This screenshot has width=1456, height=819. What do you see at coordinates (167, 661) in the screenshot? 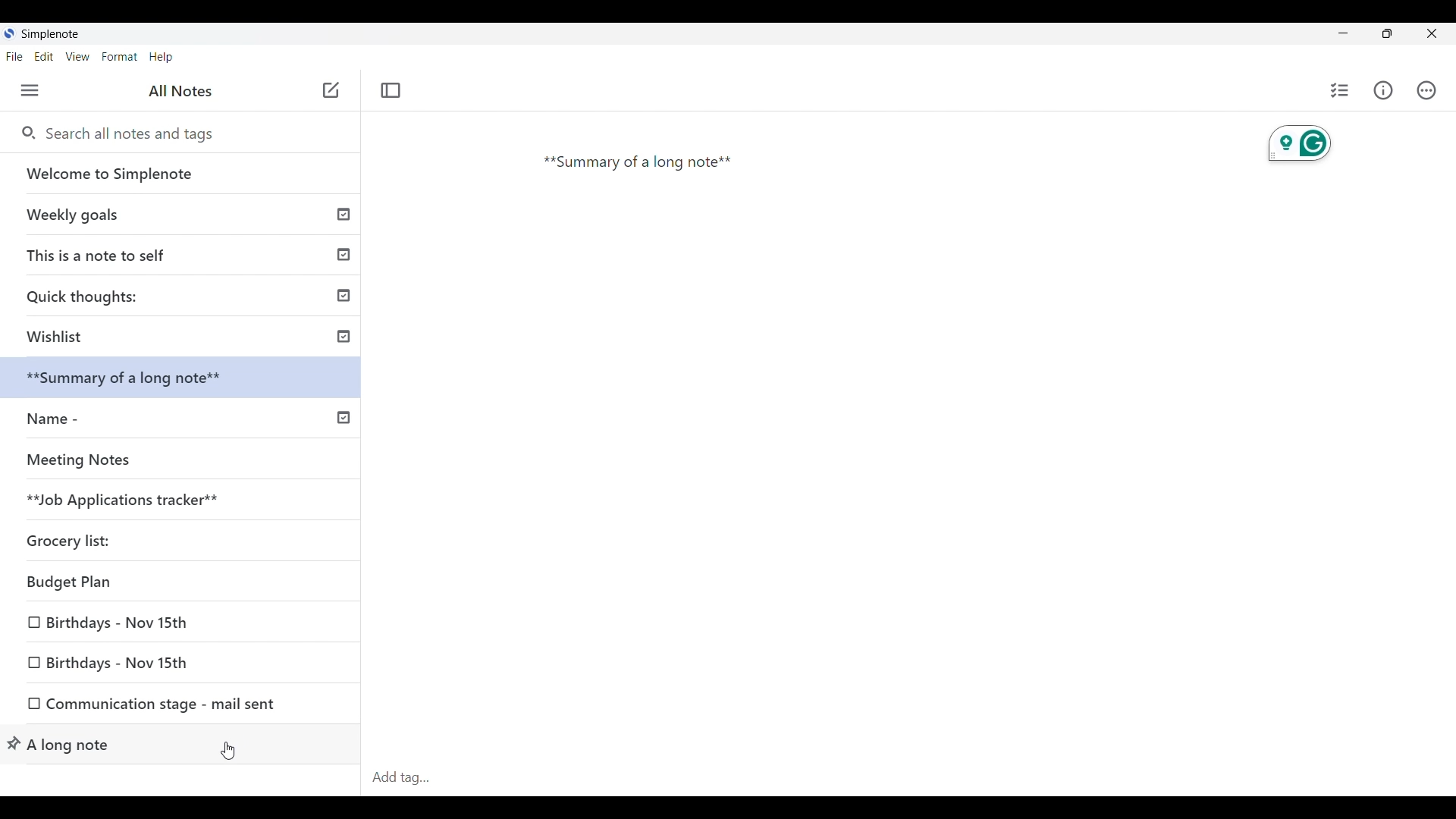
I see `Birthdays-Nov 15th` at bounding box center [167, 661].